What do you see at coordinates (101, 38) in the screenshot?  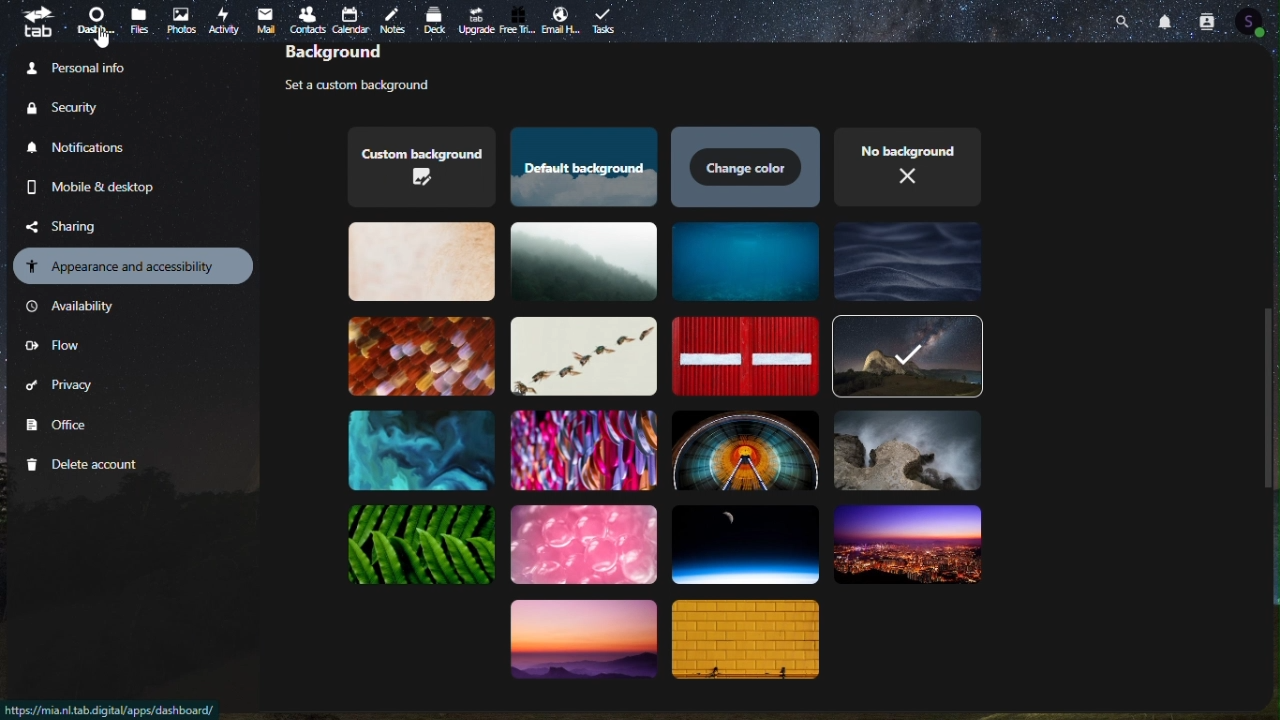 I see `` at bounding box center [101, 38].